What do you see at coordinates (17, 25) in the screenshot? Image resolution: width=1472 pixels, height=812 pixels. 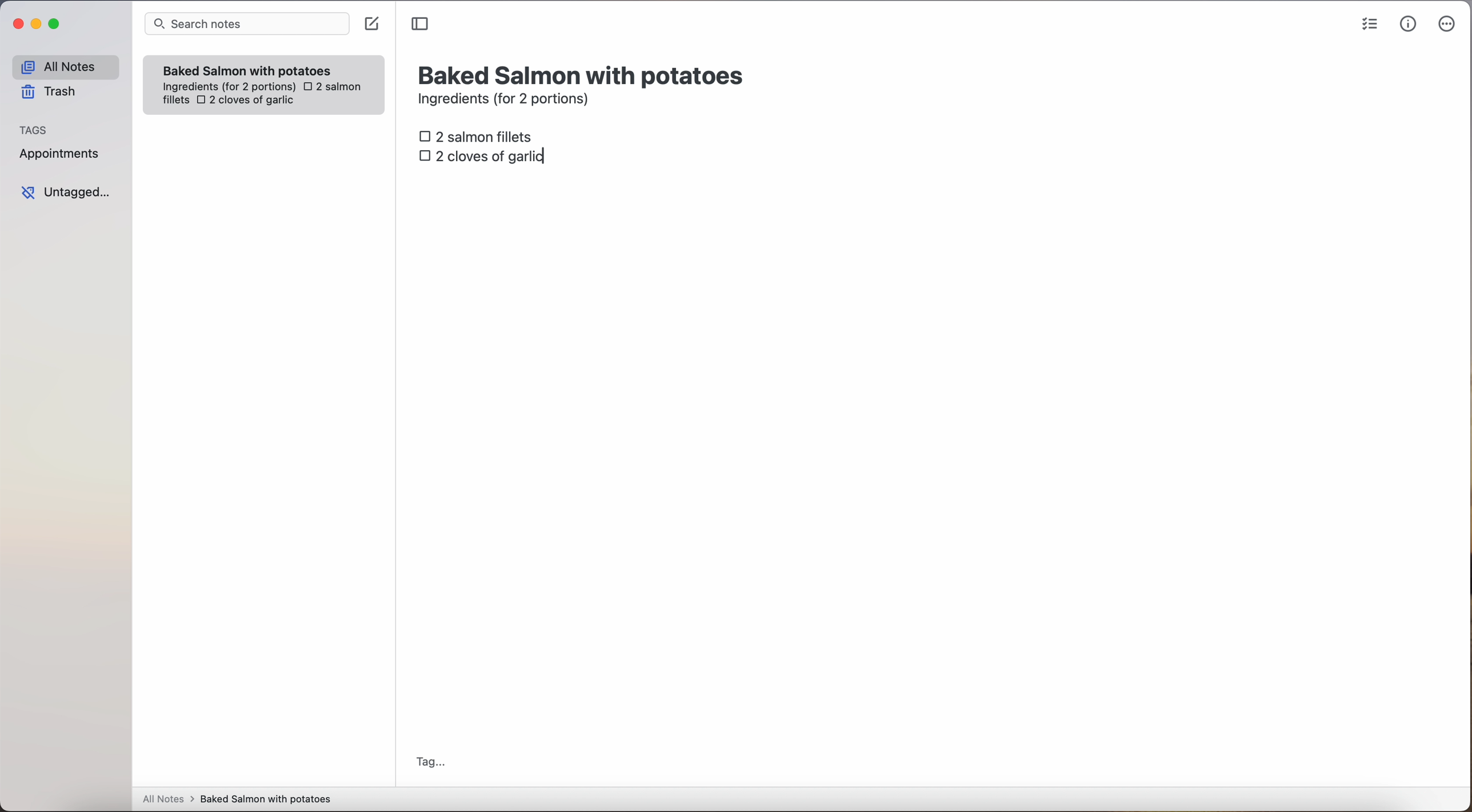 I see `close Simplenote` at bounding box center [17, 25].